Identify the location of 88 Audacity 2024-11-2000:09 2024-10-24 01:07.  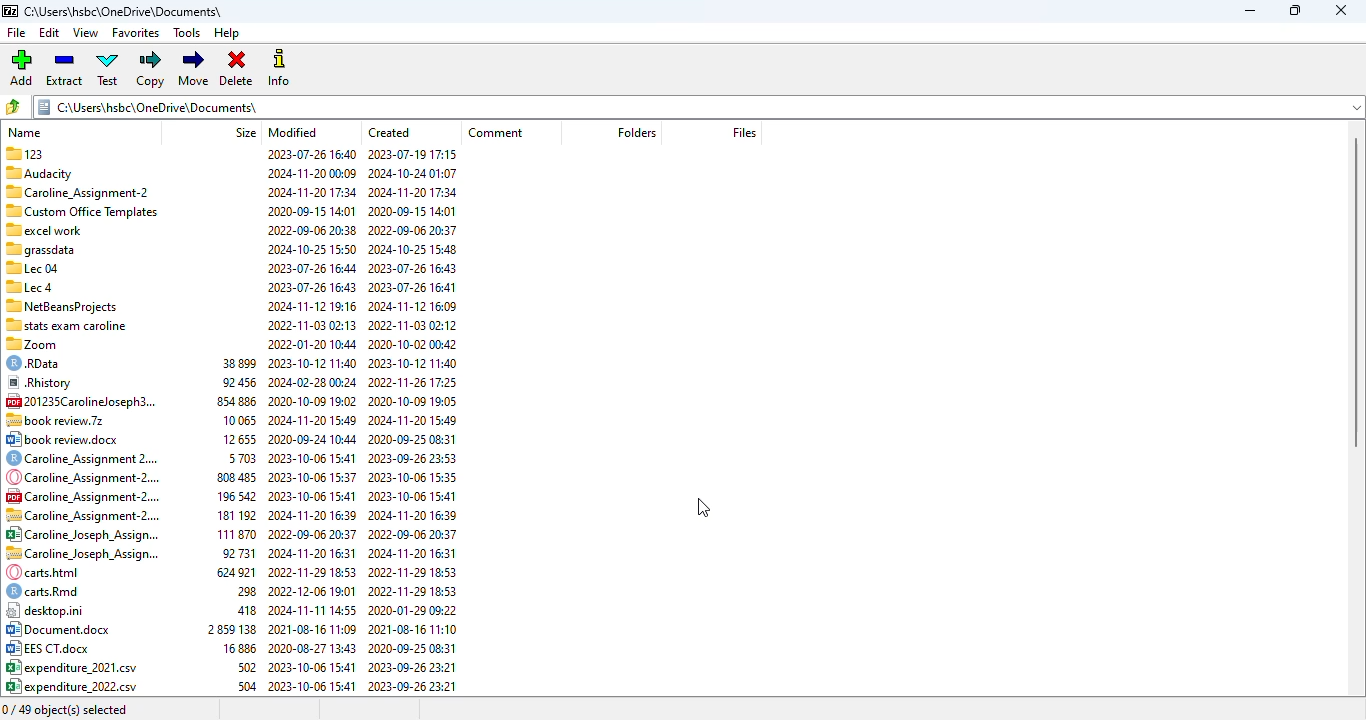
(231, 171).